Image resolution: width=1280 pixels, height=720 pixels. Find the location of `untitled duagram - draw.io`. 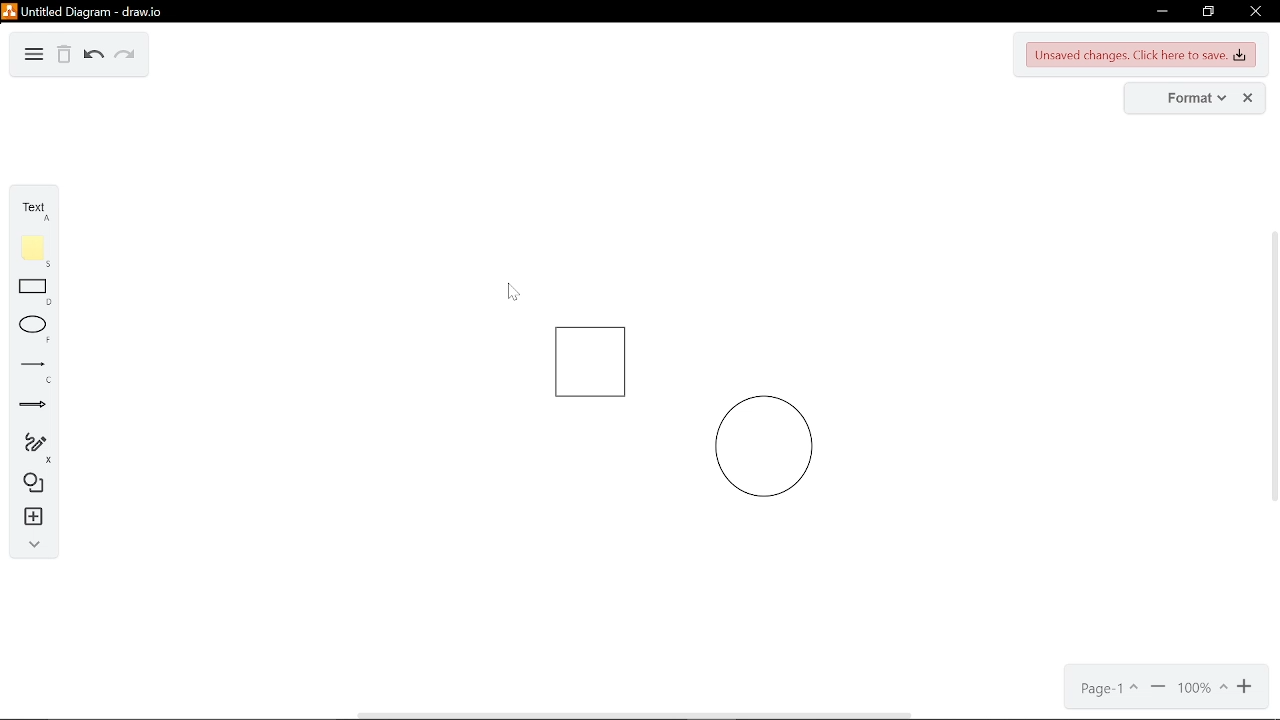

untitled duagram - draw.io is located at coordinates (91, 12).